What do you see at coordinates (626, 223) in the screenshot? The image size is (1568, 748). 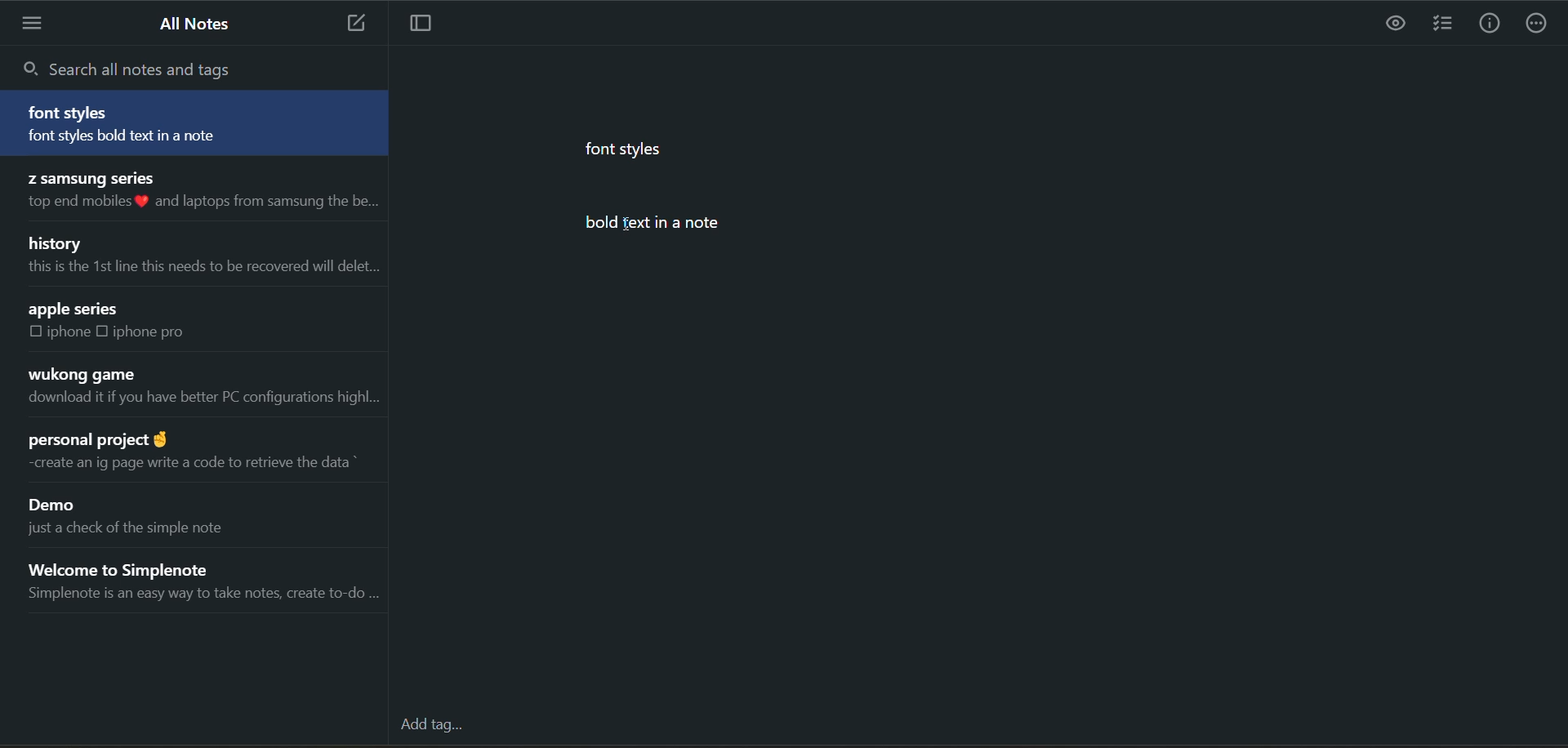 I see `cursor` at bounding box center [626, 223].